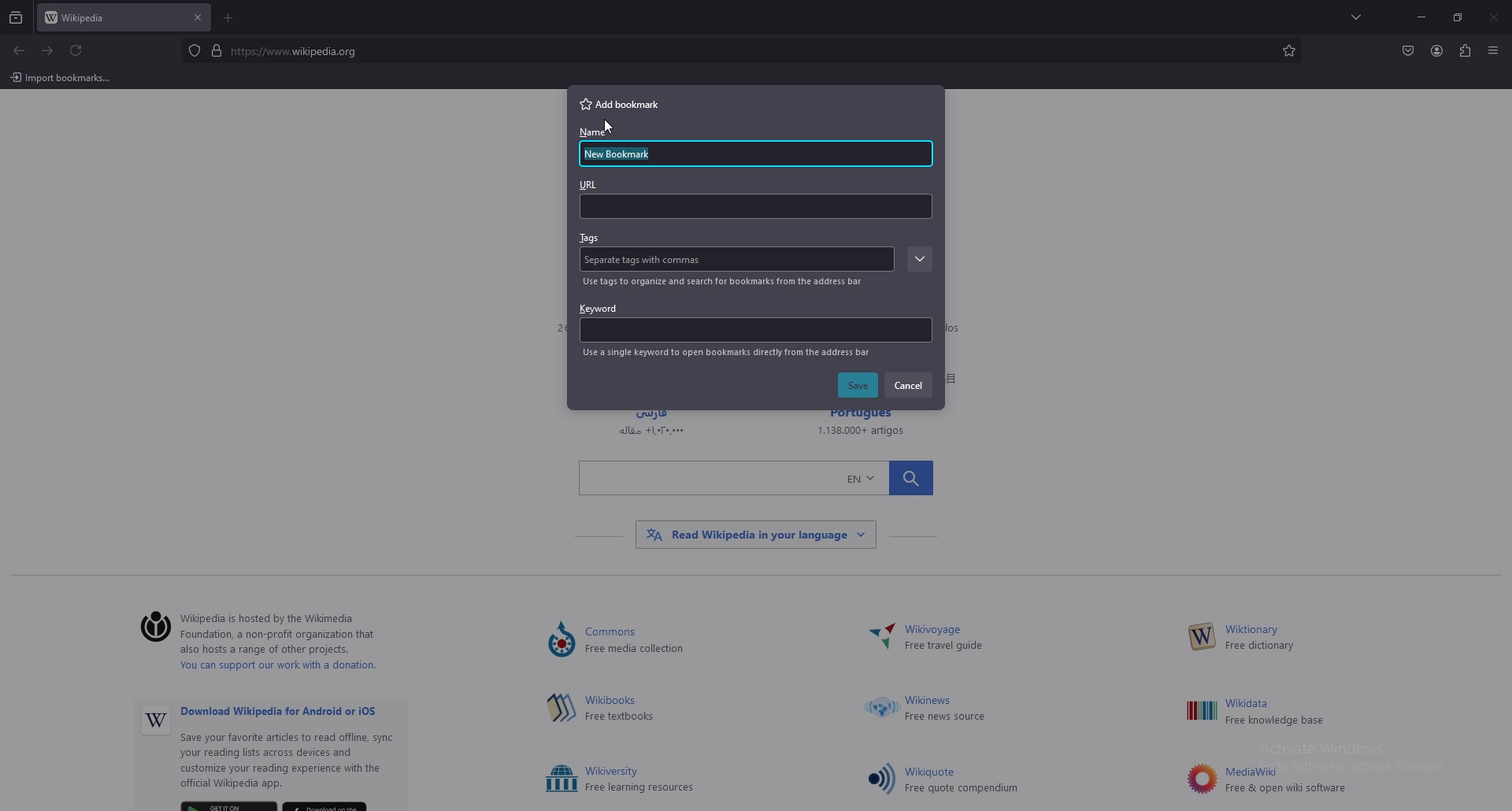 The width and height of the screenshot is (1512, 811). Describe the element at coordinates (879, 639) in the screenshot. I see `` at that location.